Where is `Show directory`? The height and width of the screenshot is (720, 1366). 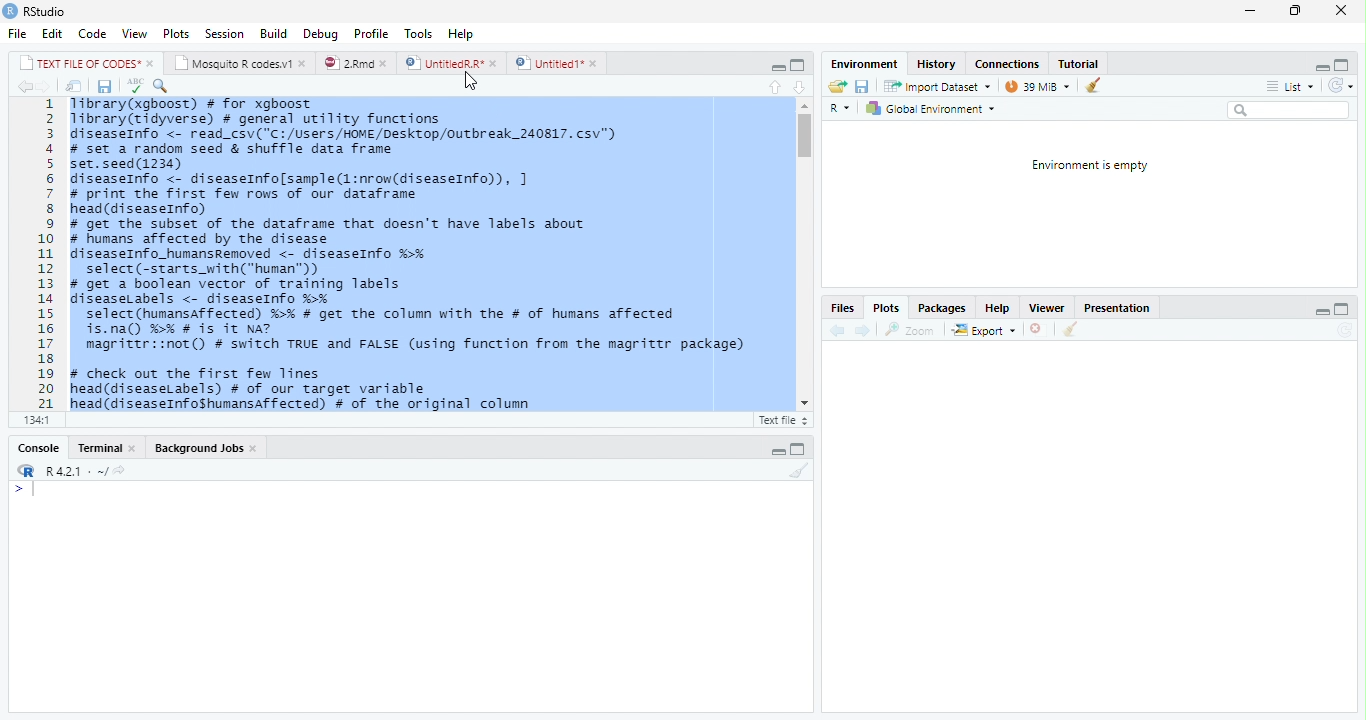 Show directory is located at coordinates (119, 469).